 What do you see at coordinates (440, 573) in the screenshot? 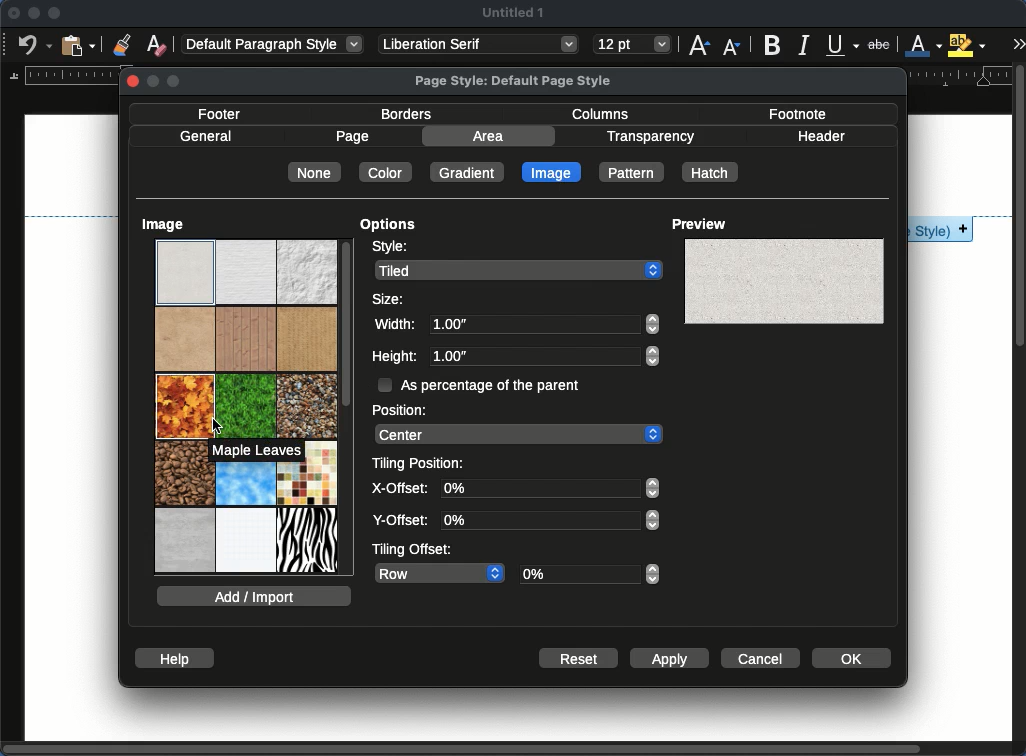
I see `row` at bounding box center [440, 573].